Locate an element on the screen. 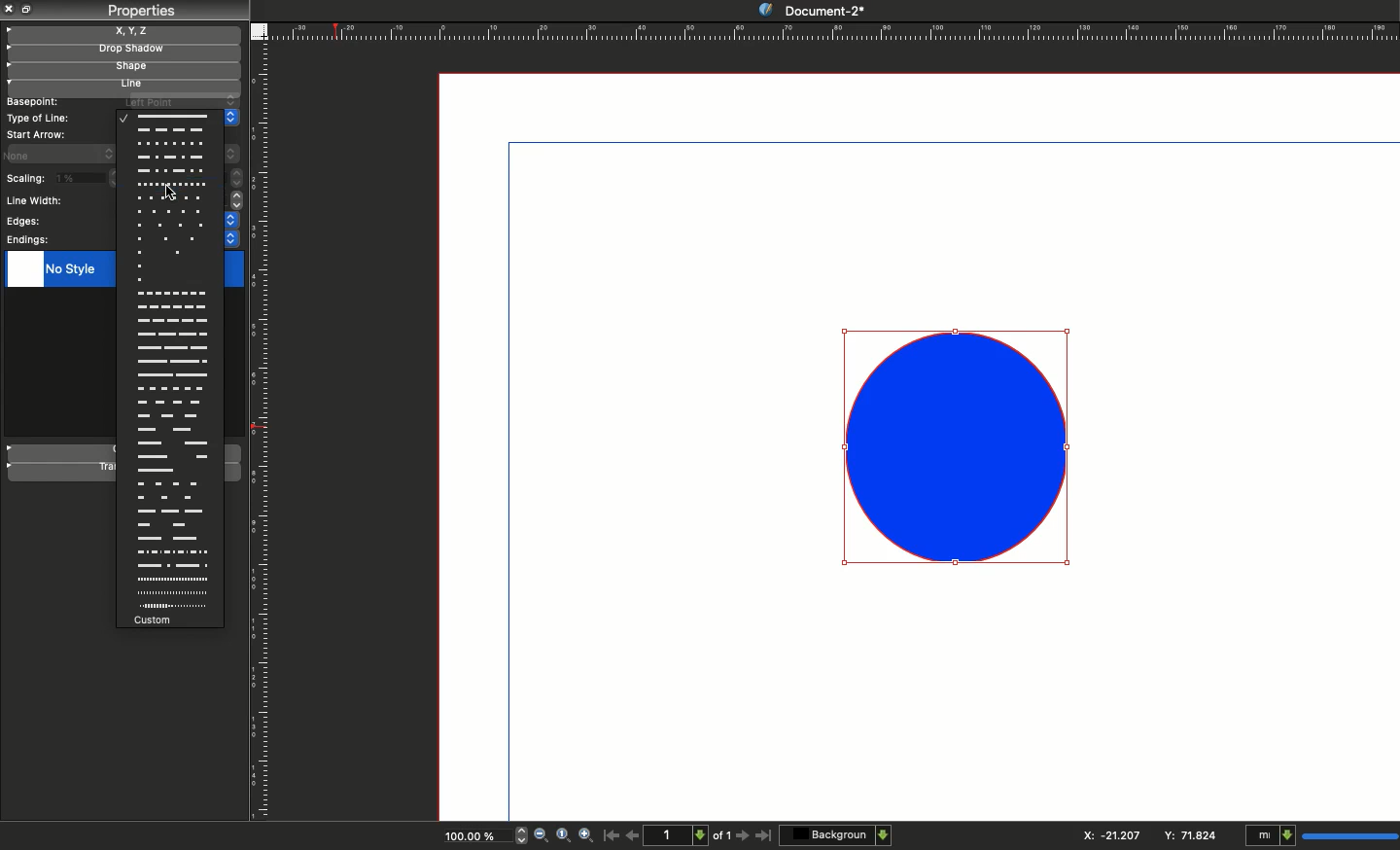 The width and height of the screenshot is (1400, 850). line option is located at coordinates (171, 362).